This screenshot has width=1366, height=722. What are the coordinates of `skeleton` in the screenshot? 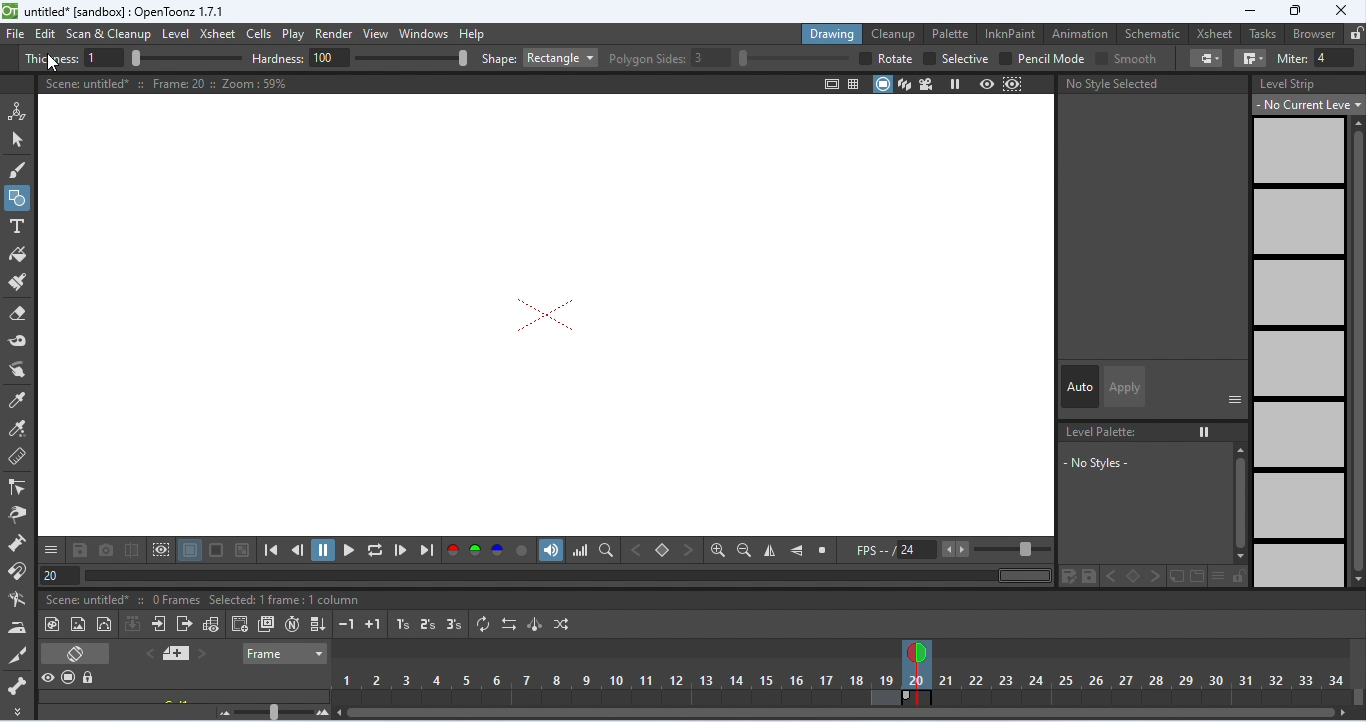 It's located at (15, 685).